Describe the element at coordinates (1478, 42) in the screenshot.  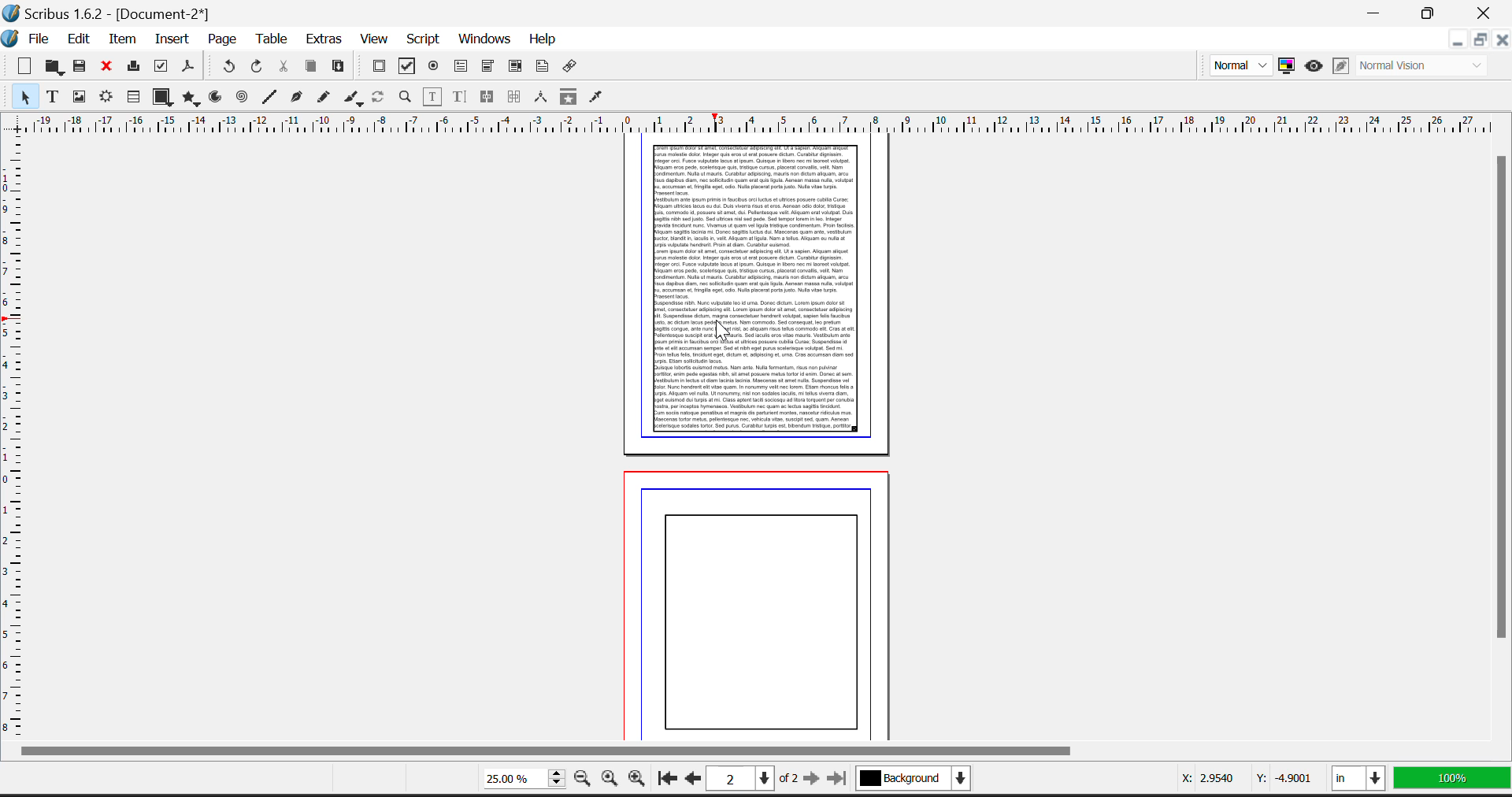
I see `Minimize` at that location.